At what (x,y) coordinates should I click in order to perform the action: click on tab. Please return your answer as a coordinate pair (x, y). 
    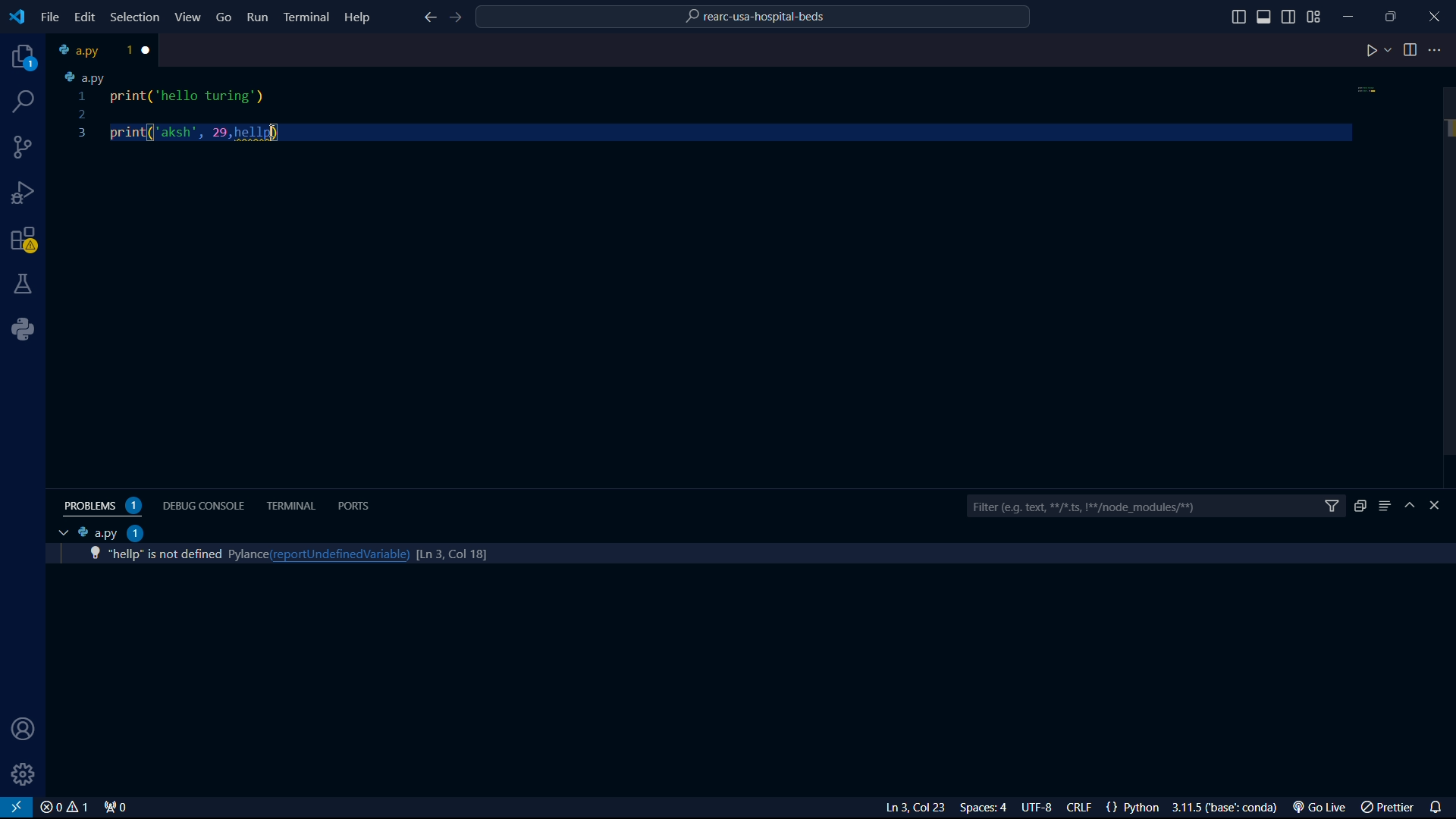
    Looking at the image, I should click on (92, 50).